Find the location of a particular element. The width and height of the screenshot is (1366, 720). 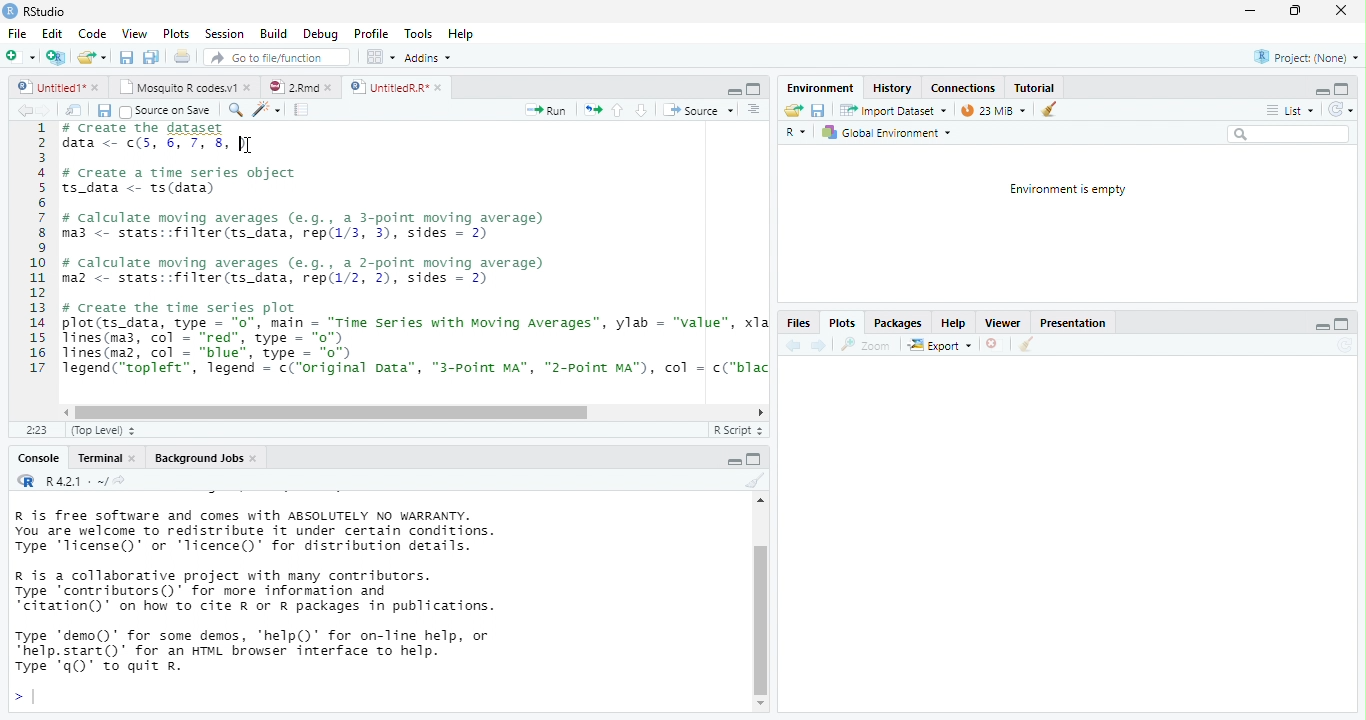

Addins is located at coordinates (428, 58).